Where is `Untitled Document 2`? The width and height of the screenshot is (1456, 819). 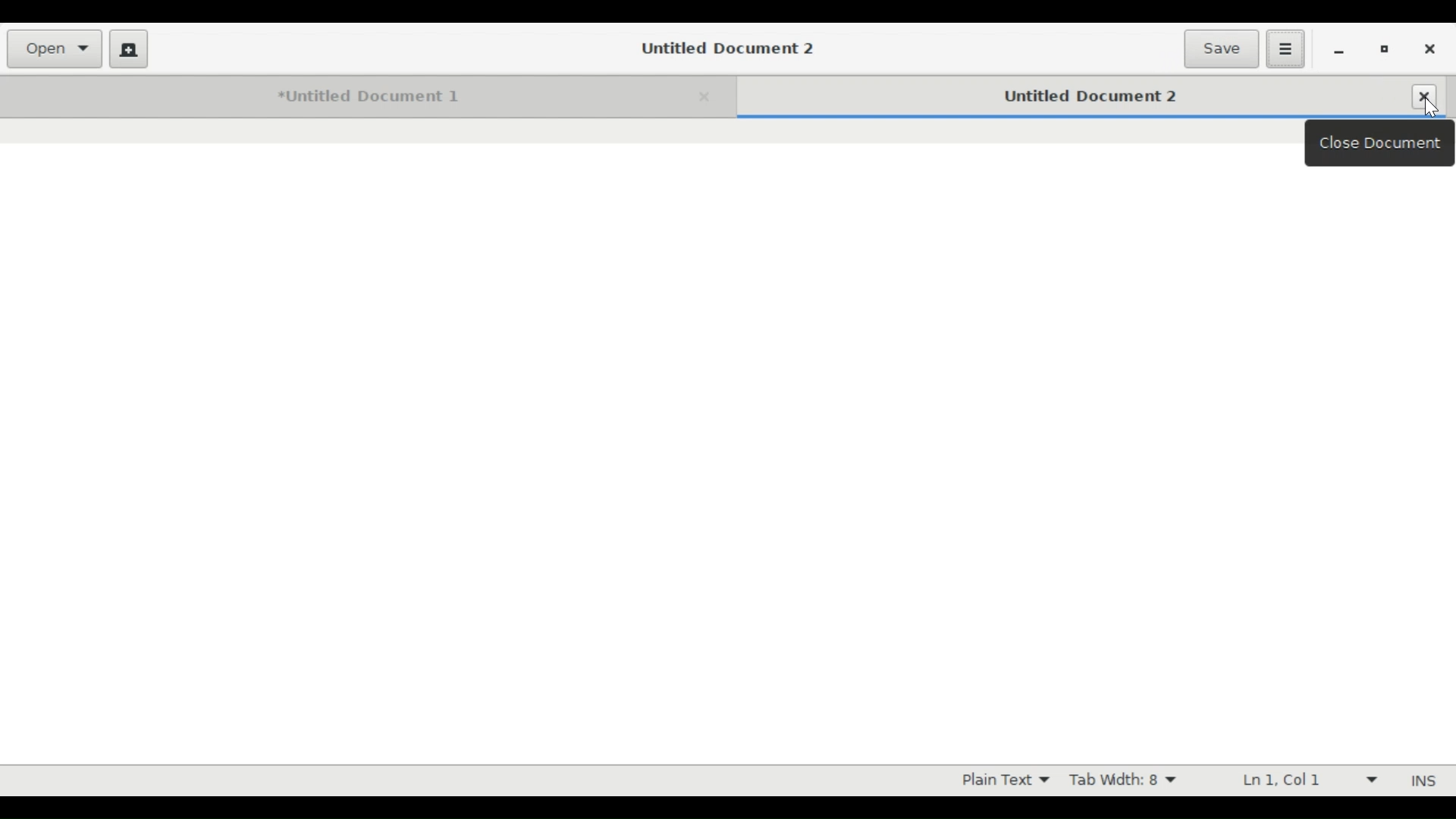 Untitled Document 2 is located at coordinates (736, 49).